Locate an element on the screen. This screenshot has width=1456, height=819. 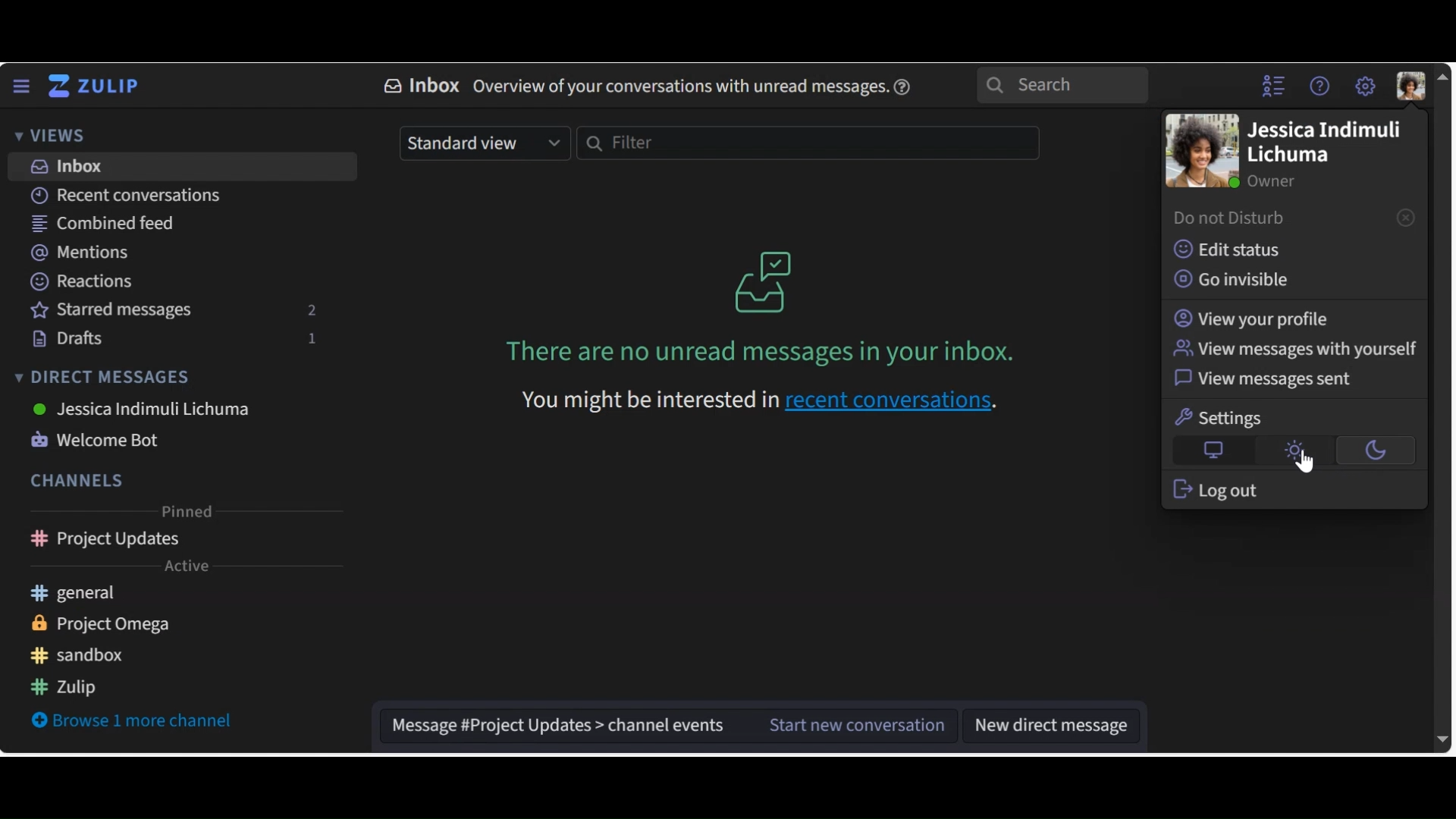
Channels is located at coordinates (74, 480).